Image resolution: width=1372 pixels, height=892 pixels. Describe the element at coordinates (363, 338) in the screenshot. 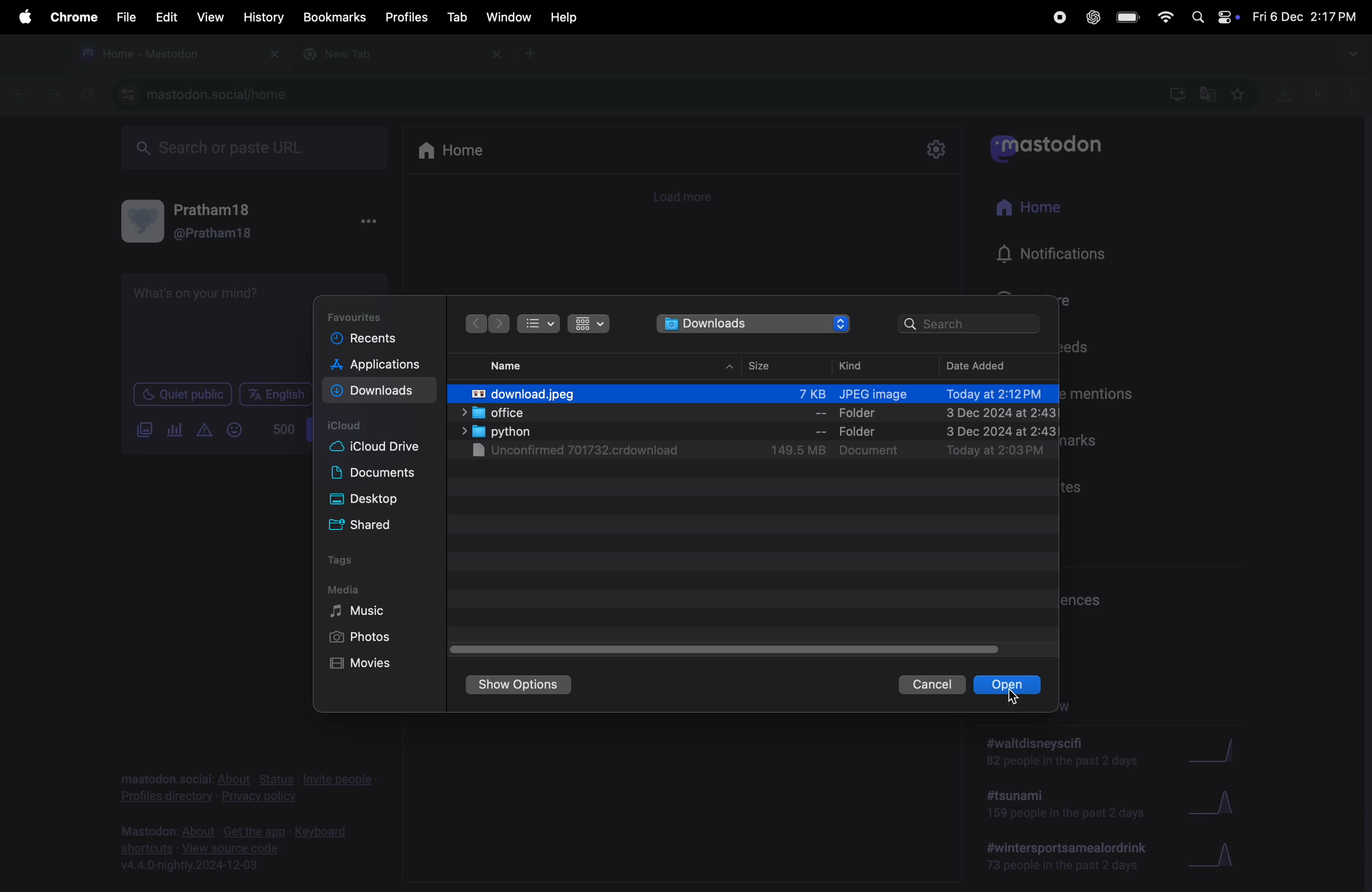

I see `recent` at that location.